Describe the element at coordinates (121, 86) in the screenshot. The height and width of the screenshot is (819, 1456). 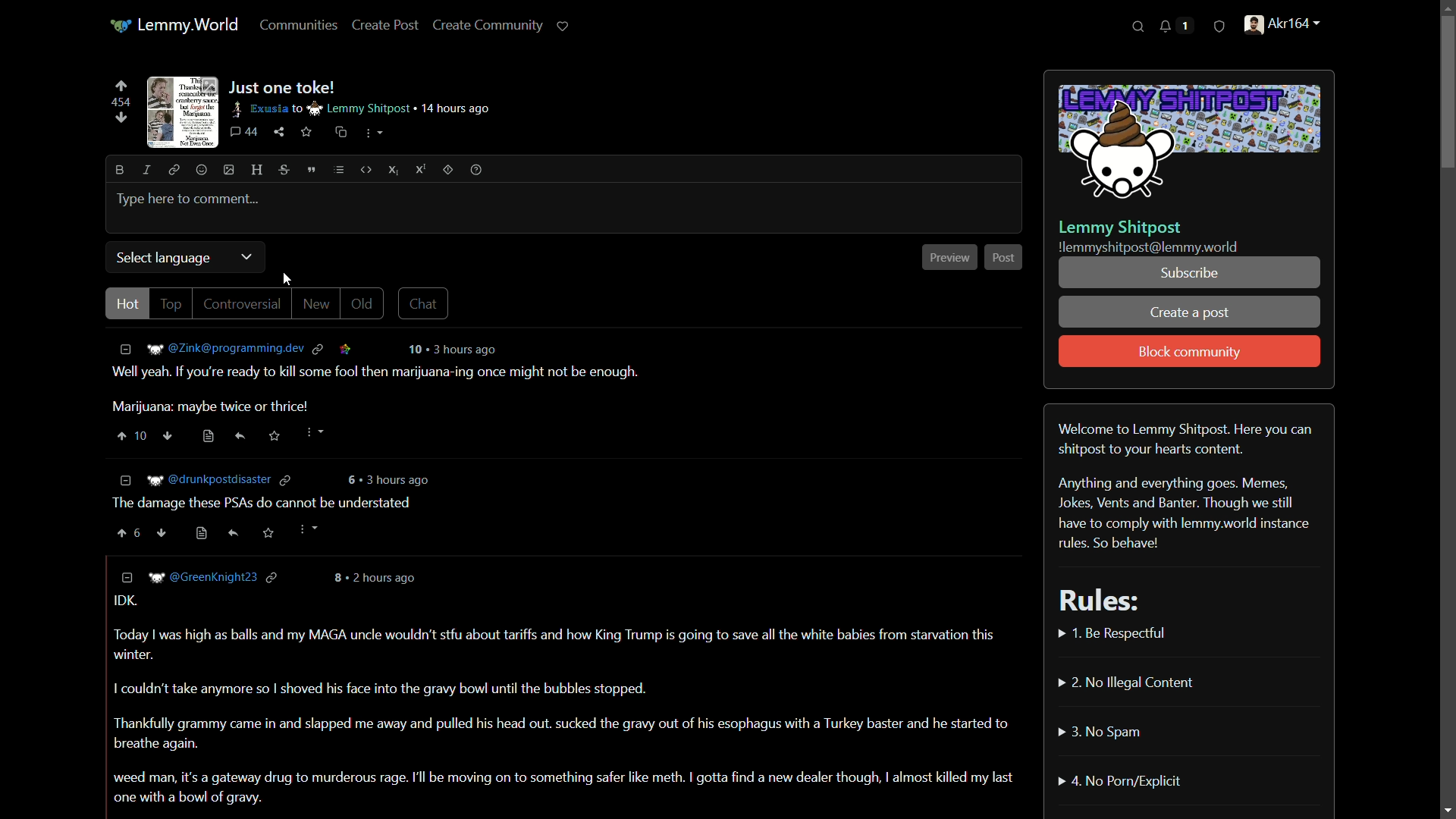
I see `upvote` at that location.